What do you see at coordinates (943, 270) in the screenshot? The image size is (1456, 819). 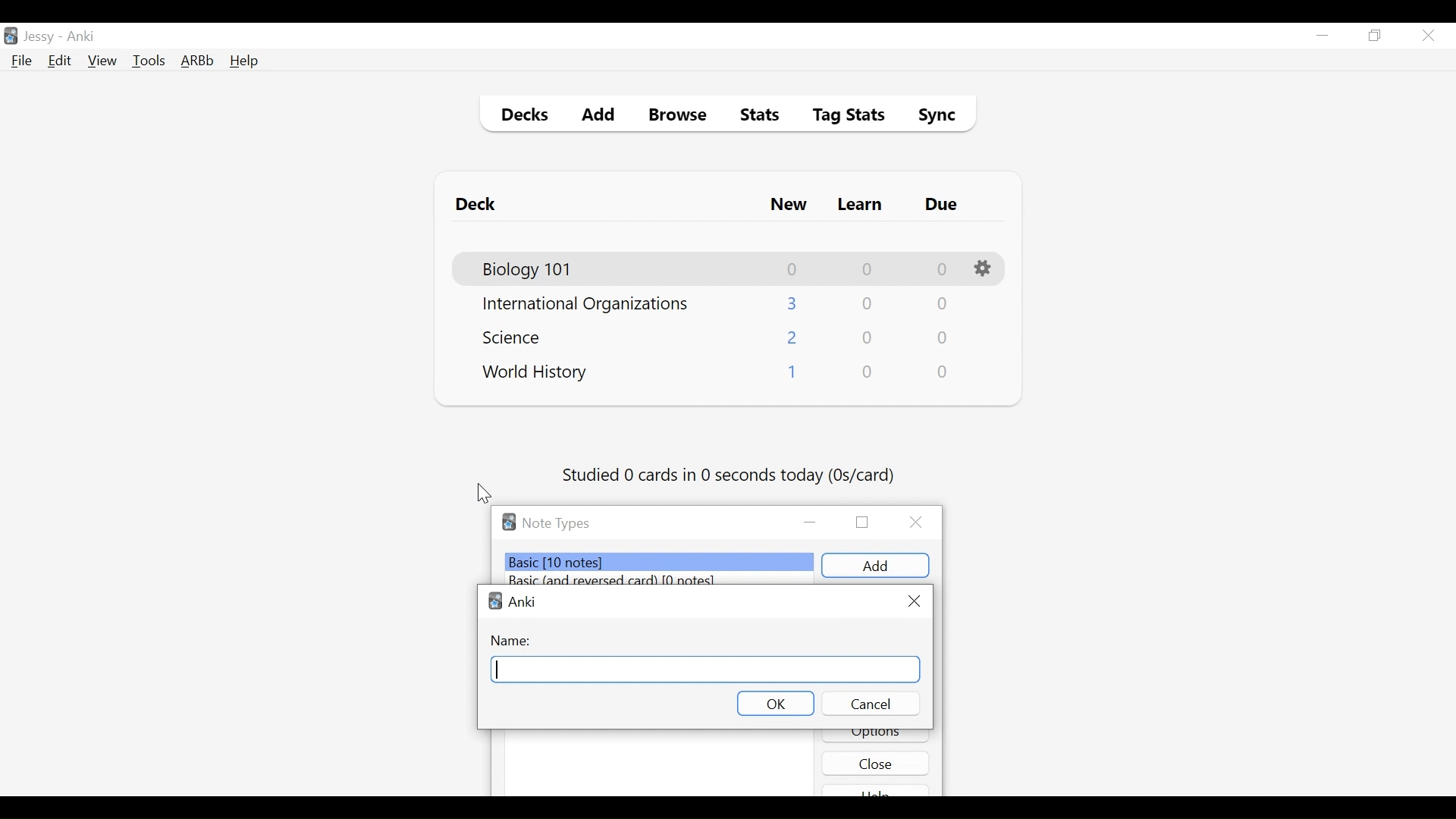 I see `Due Card Count` at bounding box center [943, 270].